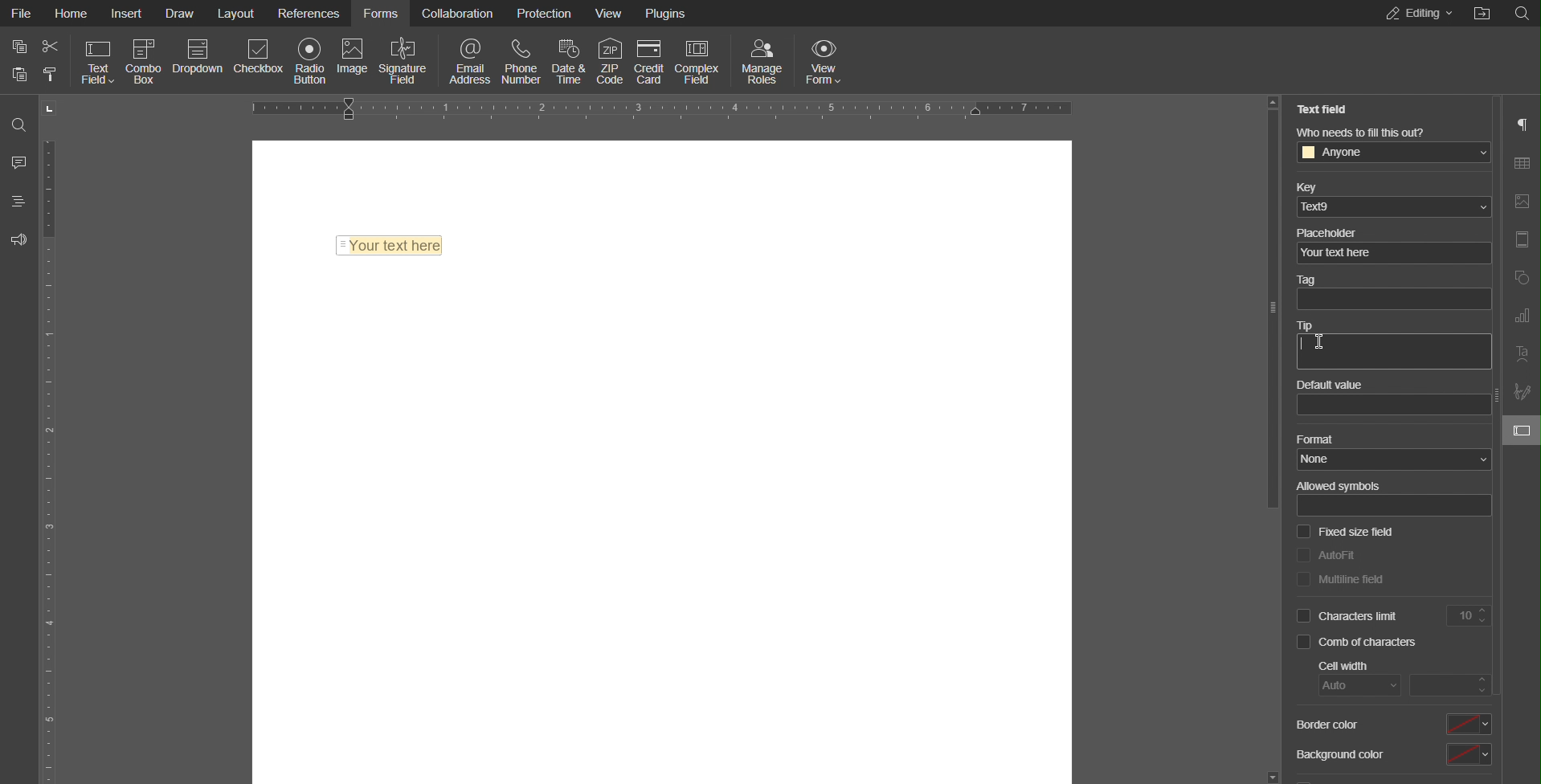 Image resolution: width=1541 pixels, height=784 pixels. I want to click on value box, so click(1395, 404).